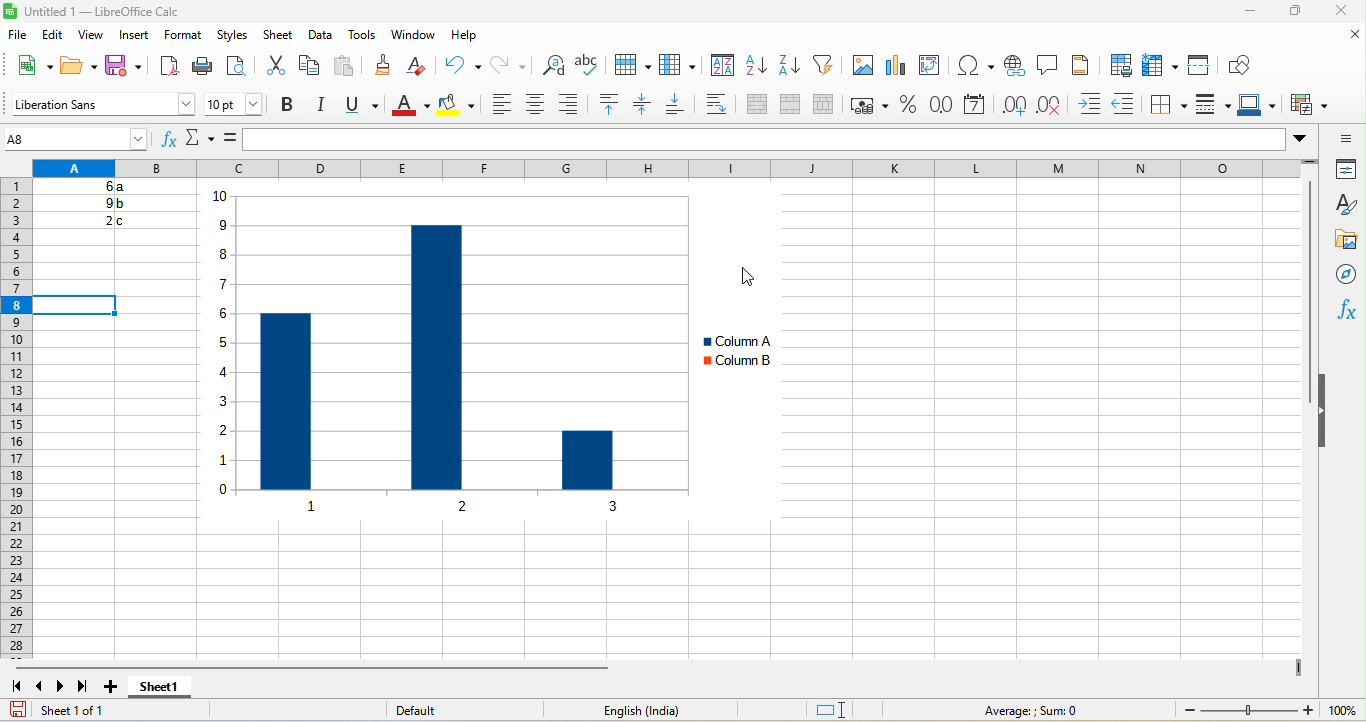  What do you see at coordinates (381, 70) in the screenshot?
I see `clone formatting` at bounding box center [381, 70].